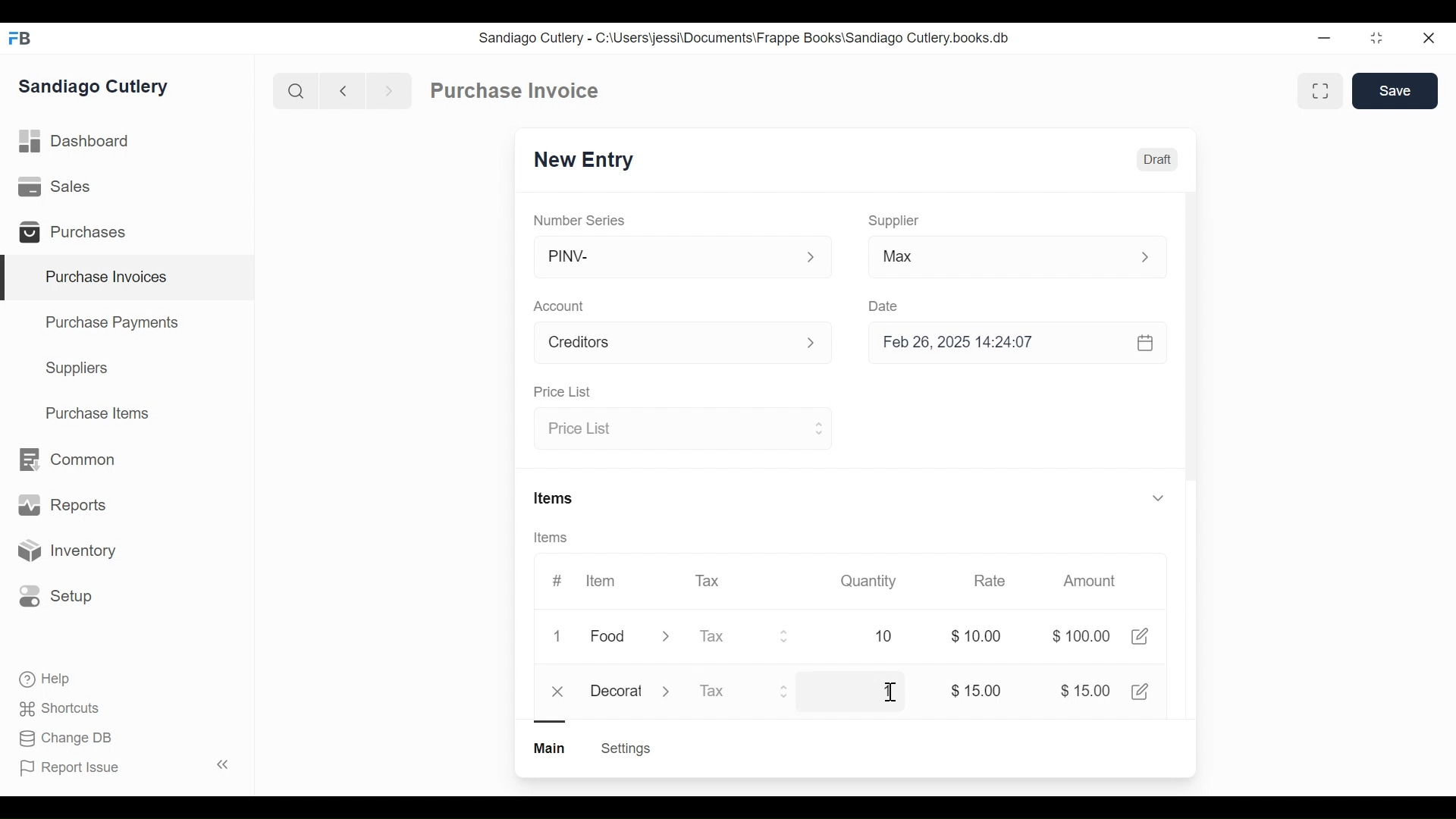 Image resolution: width=1456 pixels, height=819 pixels. What do you see at coordinates (296, 90) in the screenshot?
I see `Search` at bounding box center [296, 90].